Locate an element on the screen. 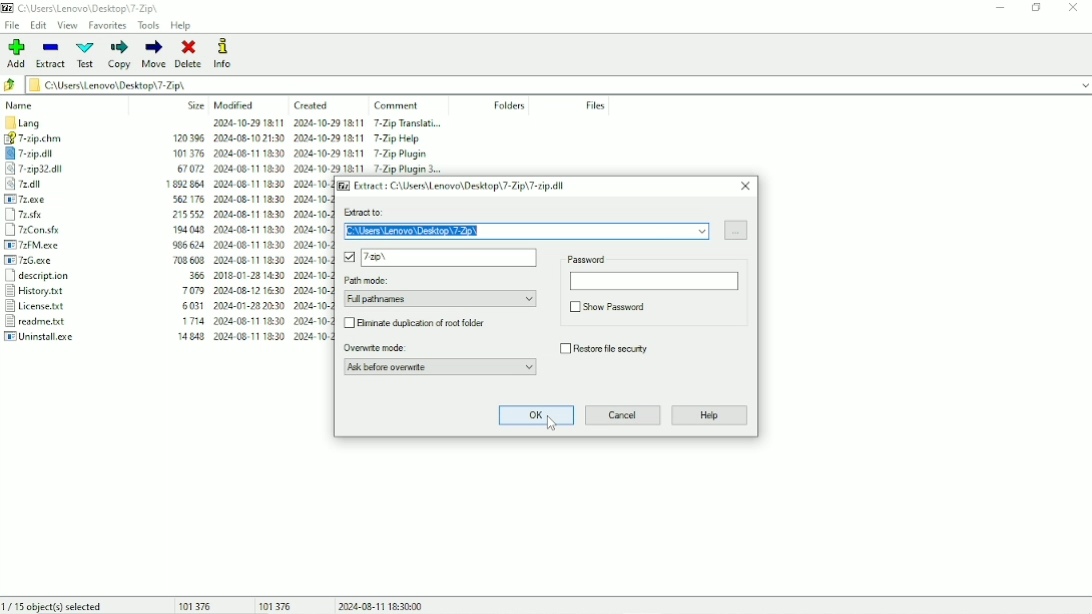  Close is located at coordinates (1075, 7).